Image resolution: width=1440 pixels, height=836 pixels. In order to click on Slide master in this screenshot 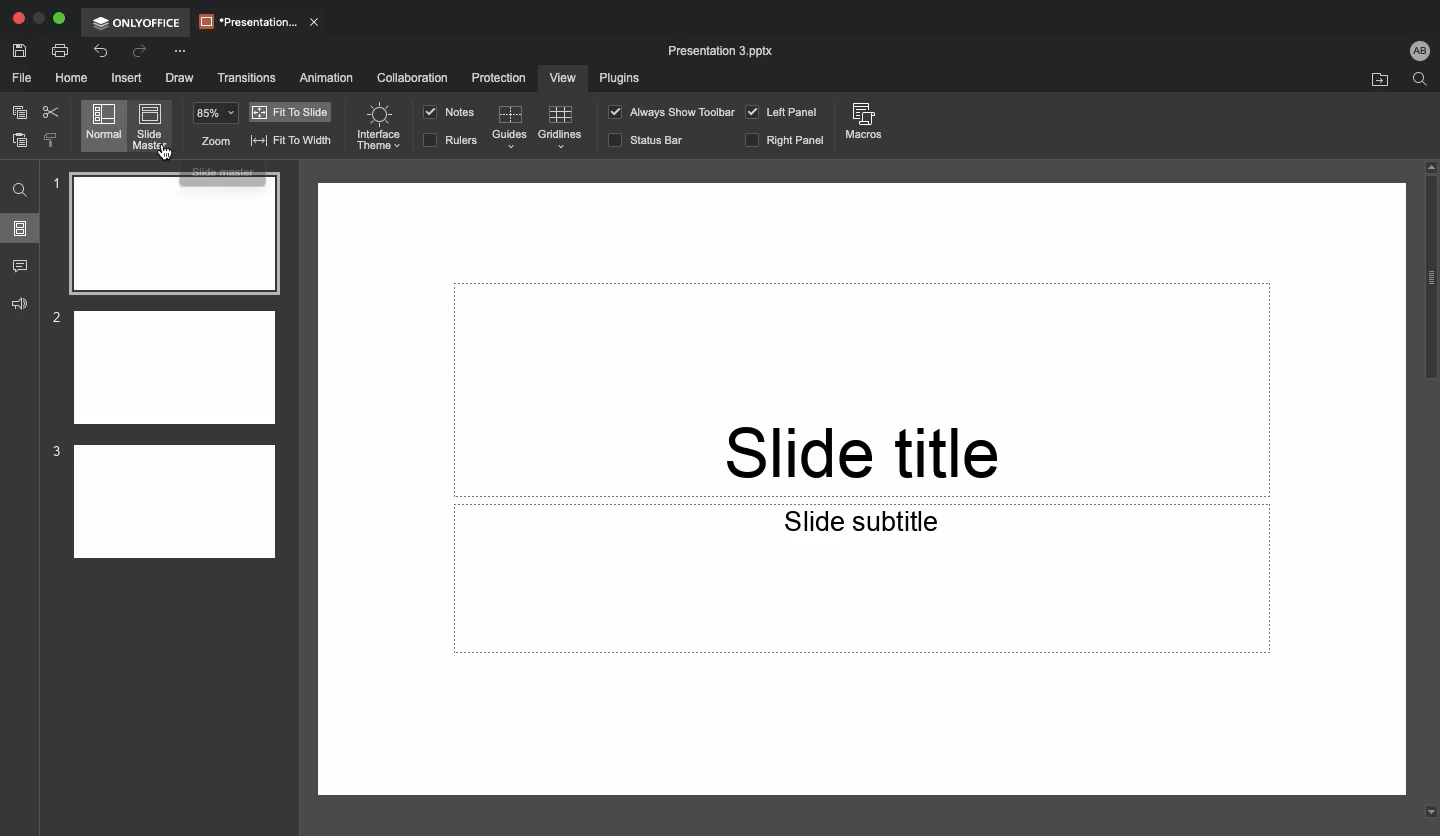, I will do `click(151, 128)`.